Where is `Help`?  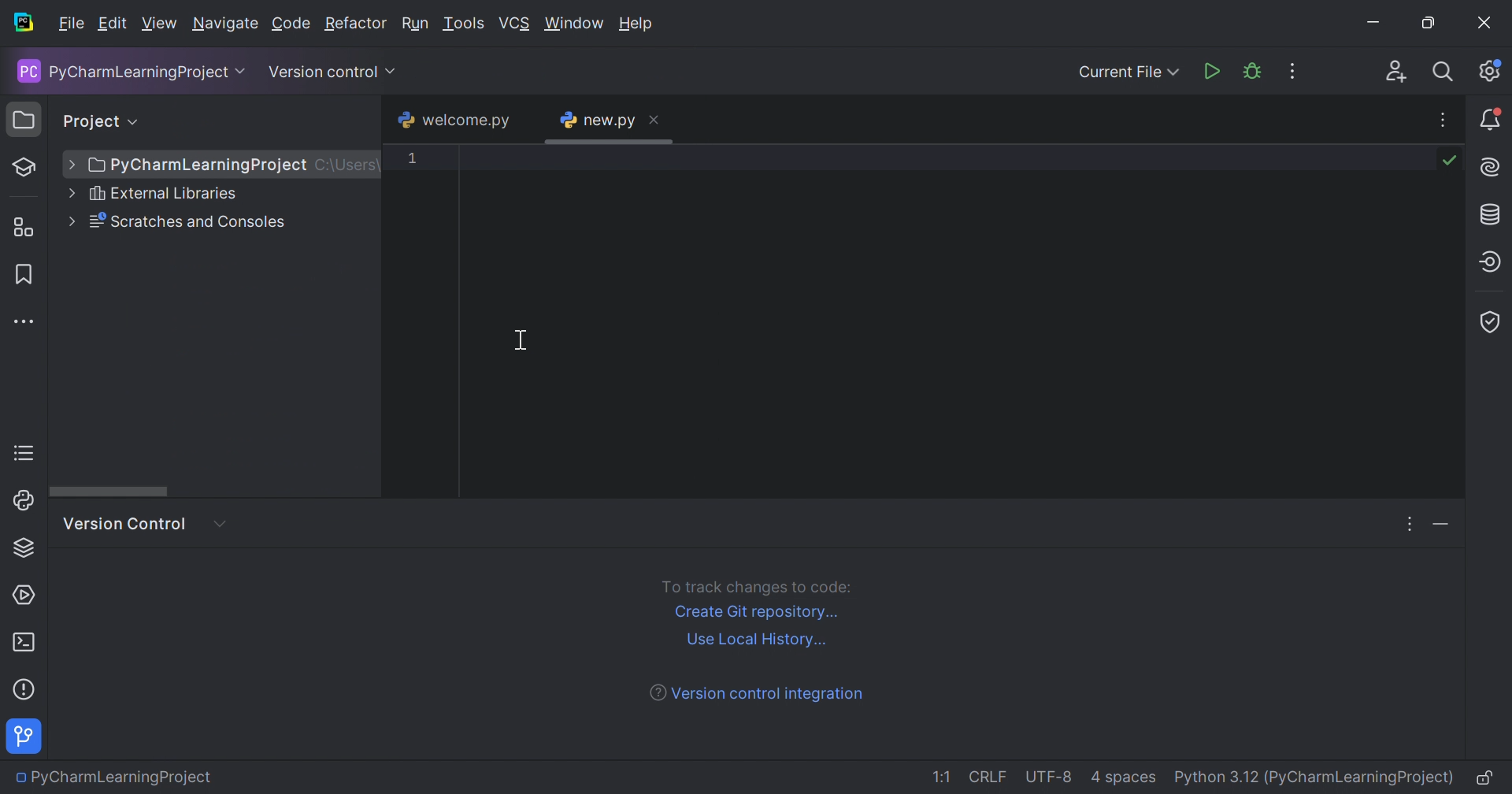
Help is located at coordinates (638, 24).